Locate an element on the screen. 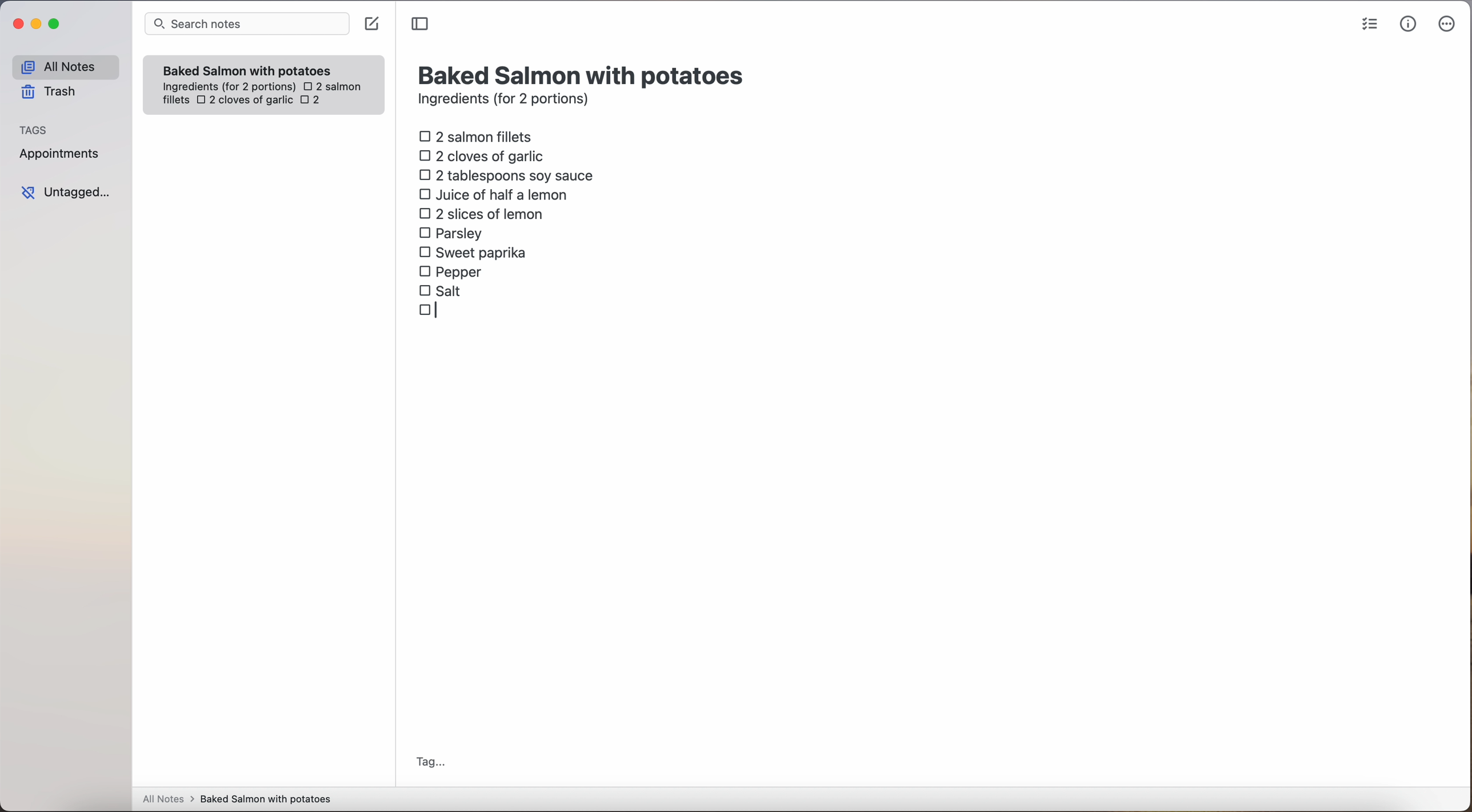  toggle sidebar is located at coordinates (421, 25).